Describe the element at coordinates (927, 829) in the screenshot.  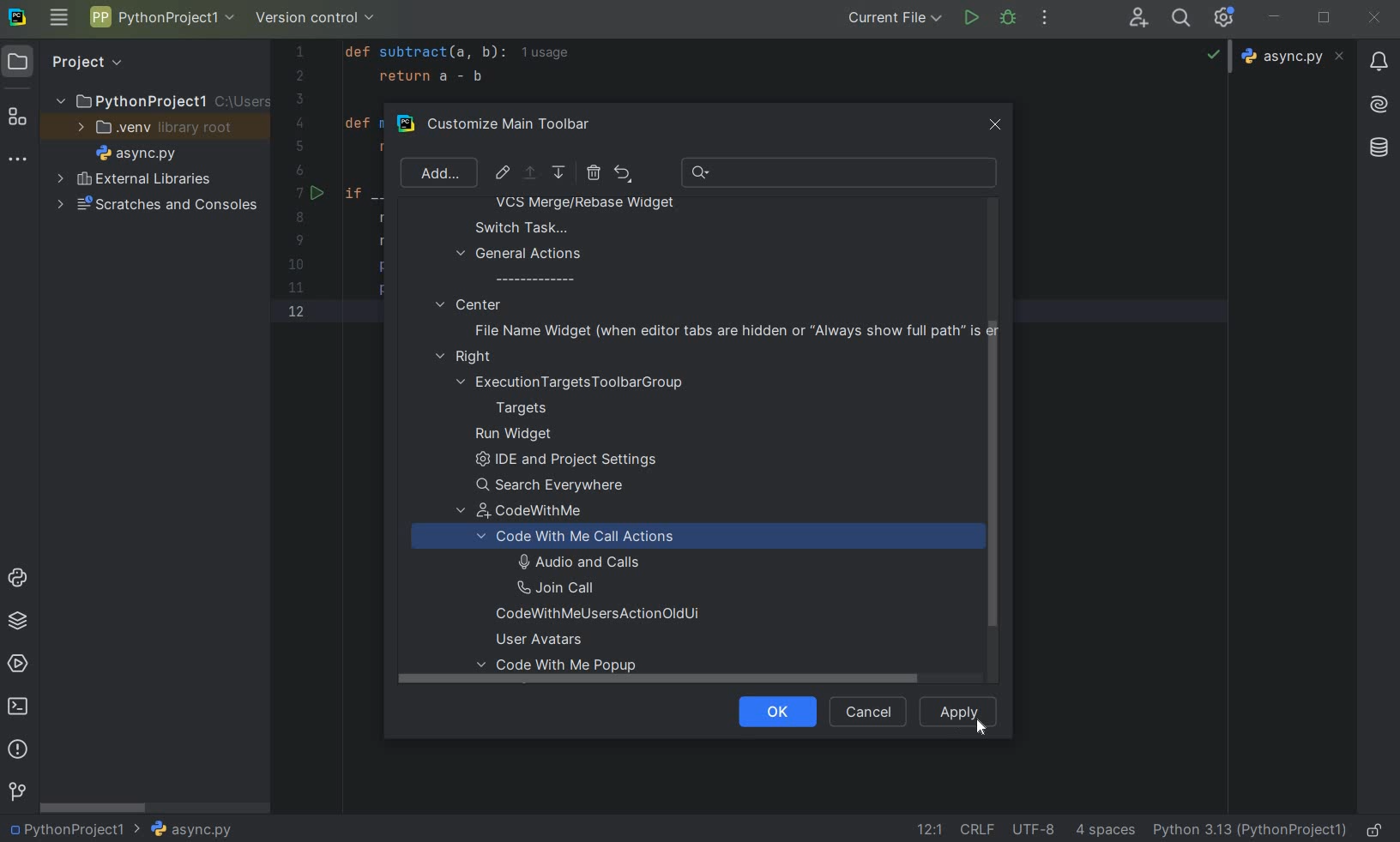
I see `GO TO LINE` at that location.